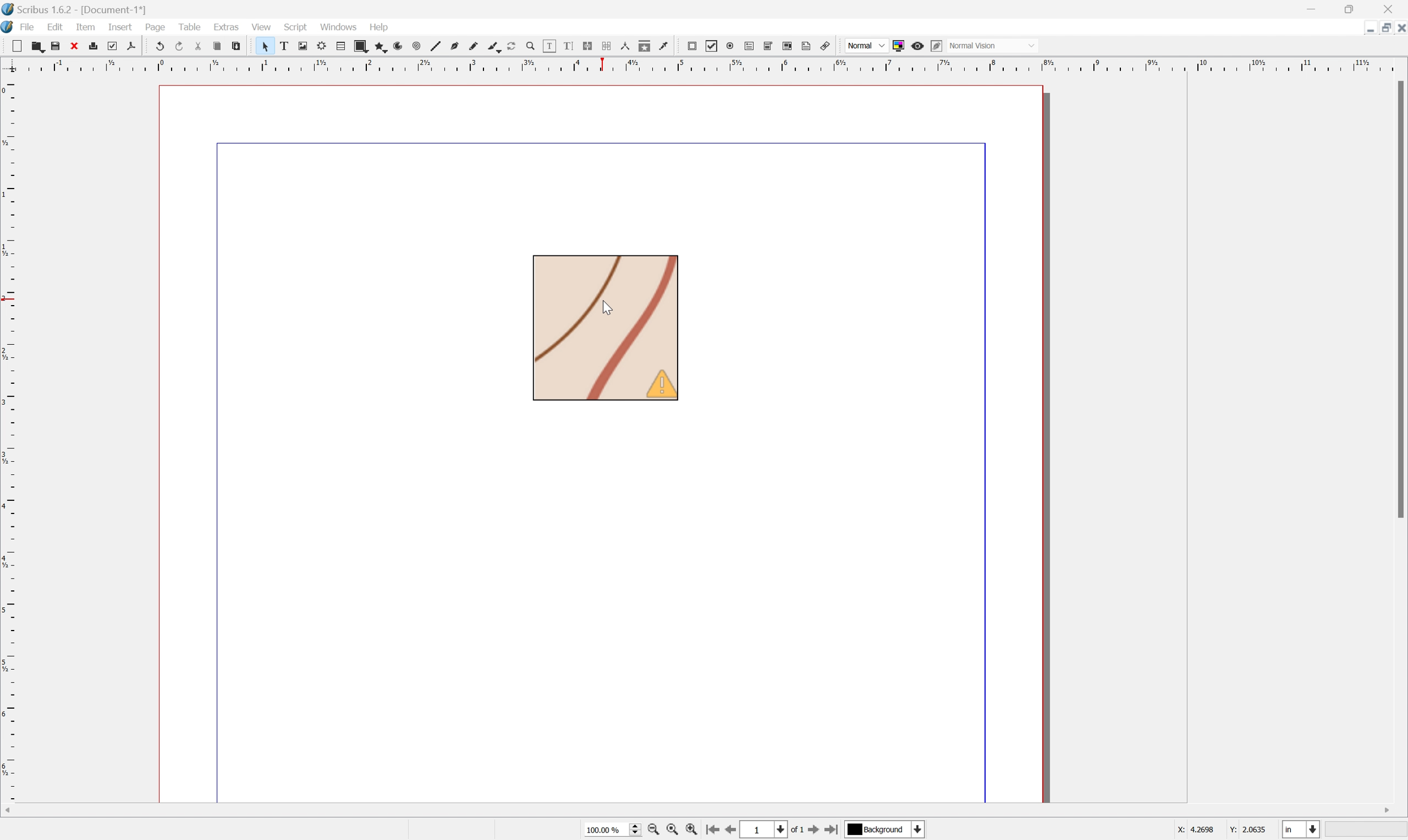  What do you see at coordinates (307, 45) in the screenshot?
I see `Image frame` at bounding box center [307, 45].